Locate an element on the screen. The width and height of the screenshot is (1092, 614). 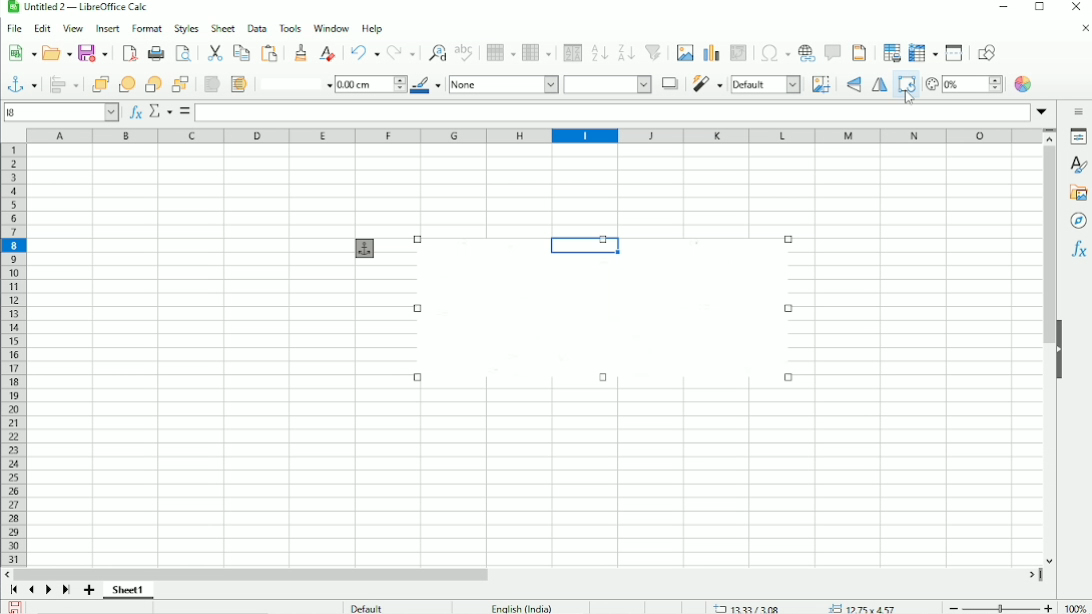
 is located at coordinates (181, 84).